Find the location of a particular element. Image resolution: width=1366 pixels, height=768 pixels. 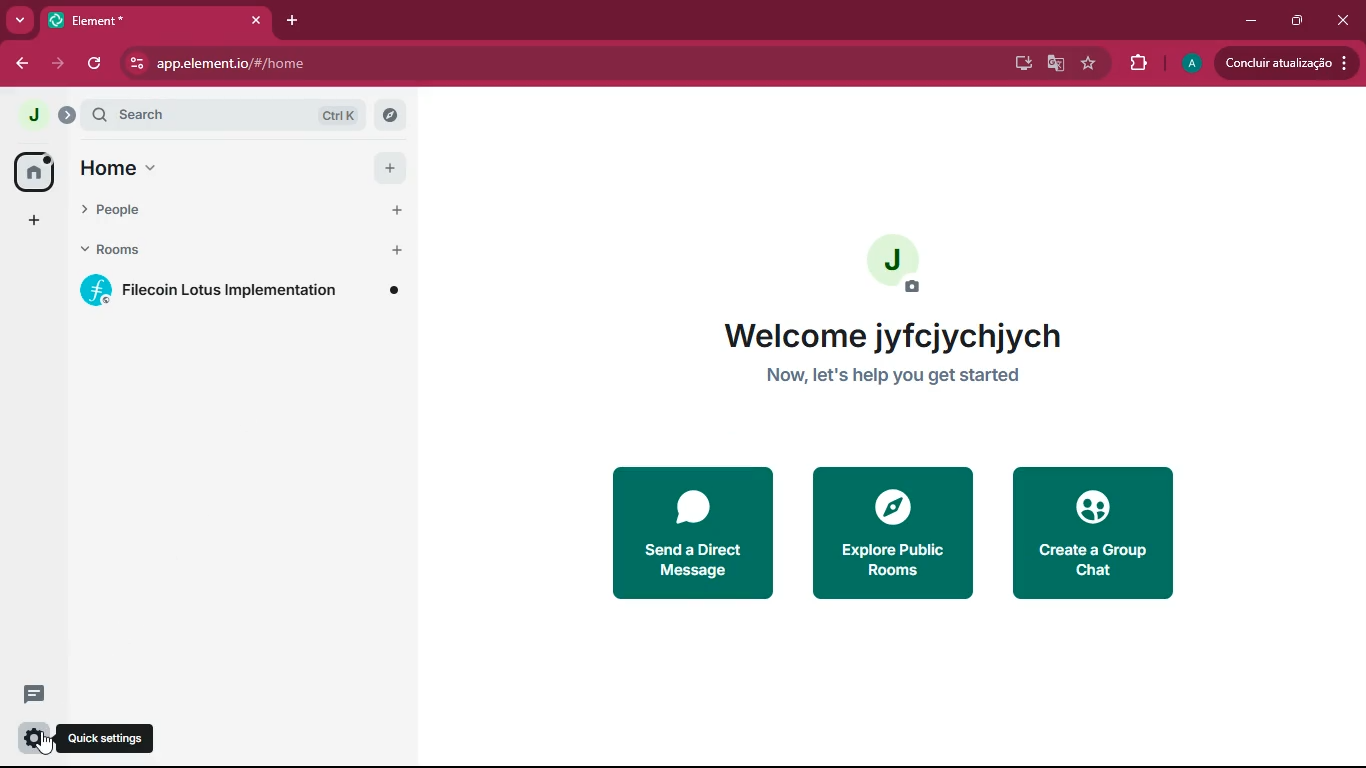

home is located at coordinates (32, 171).